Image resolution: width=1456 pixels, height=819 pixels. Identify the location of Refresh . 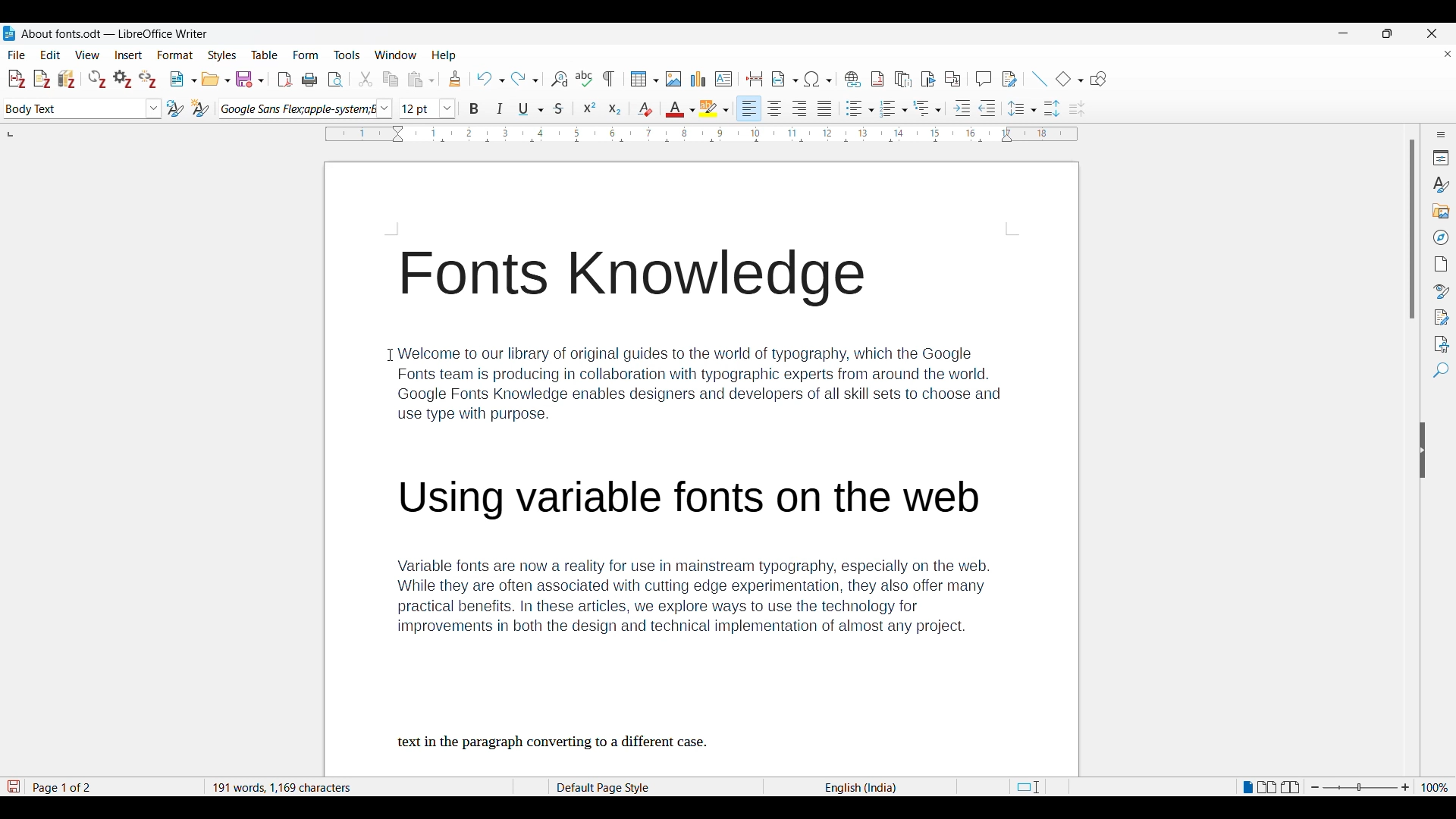
(97, 79).